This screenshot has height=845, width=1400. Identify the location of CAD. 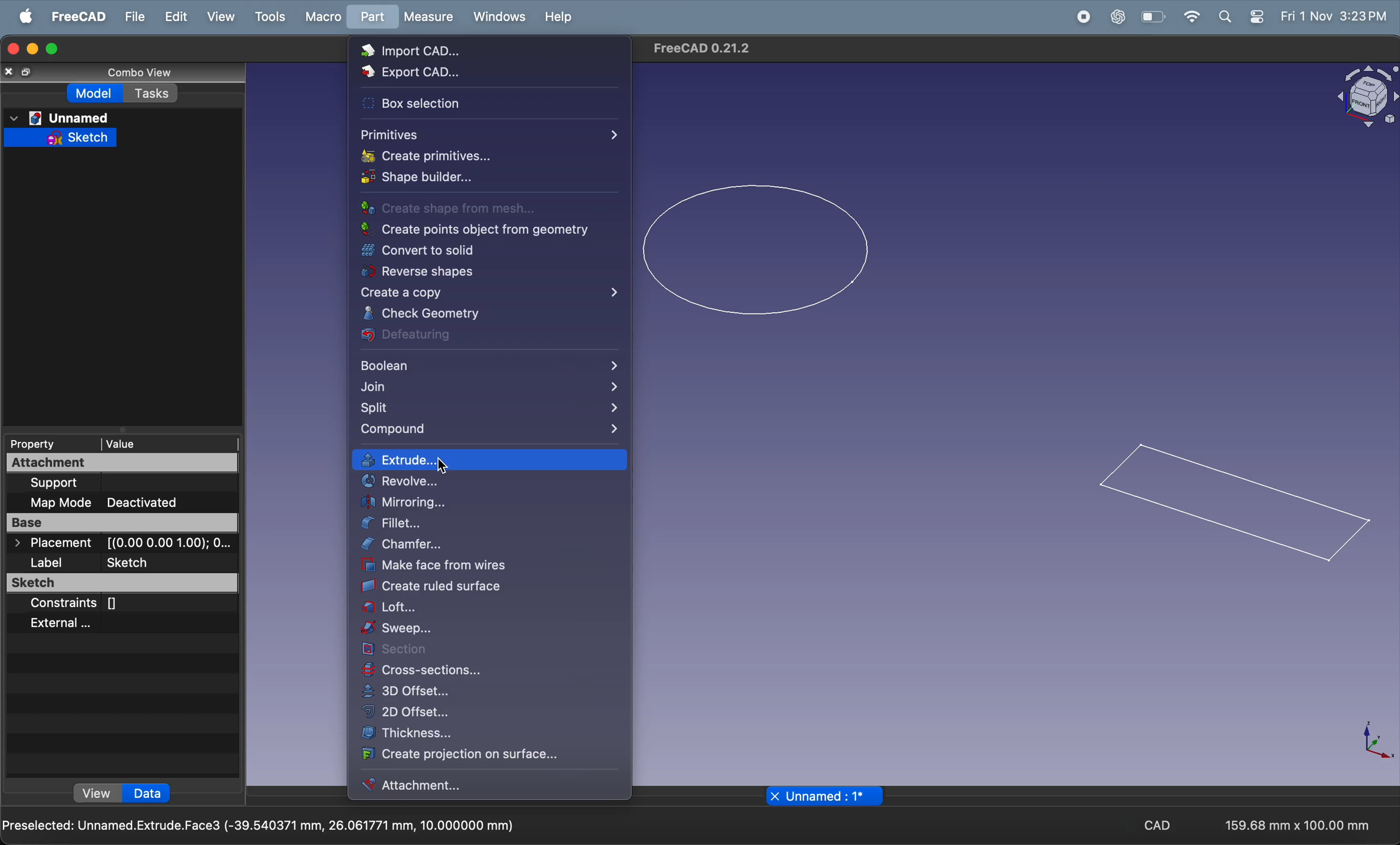
(1158, 824).